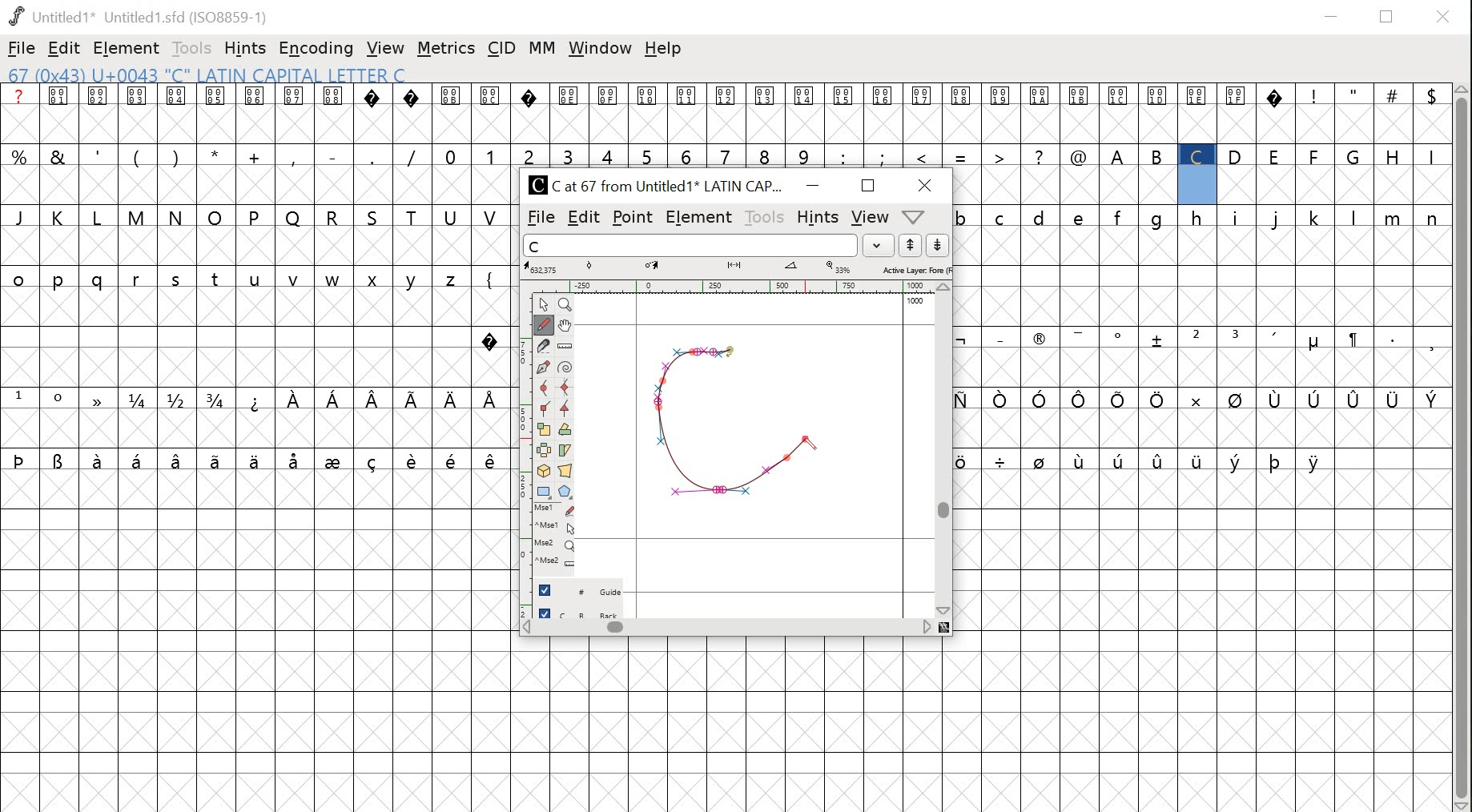 The height and width of the screenshot is (812, 1472). What do you see at coordinates (255, 283) in the screenshot?
I see `glyphs` at bounding box center [255, 283].